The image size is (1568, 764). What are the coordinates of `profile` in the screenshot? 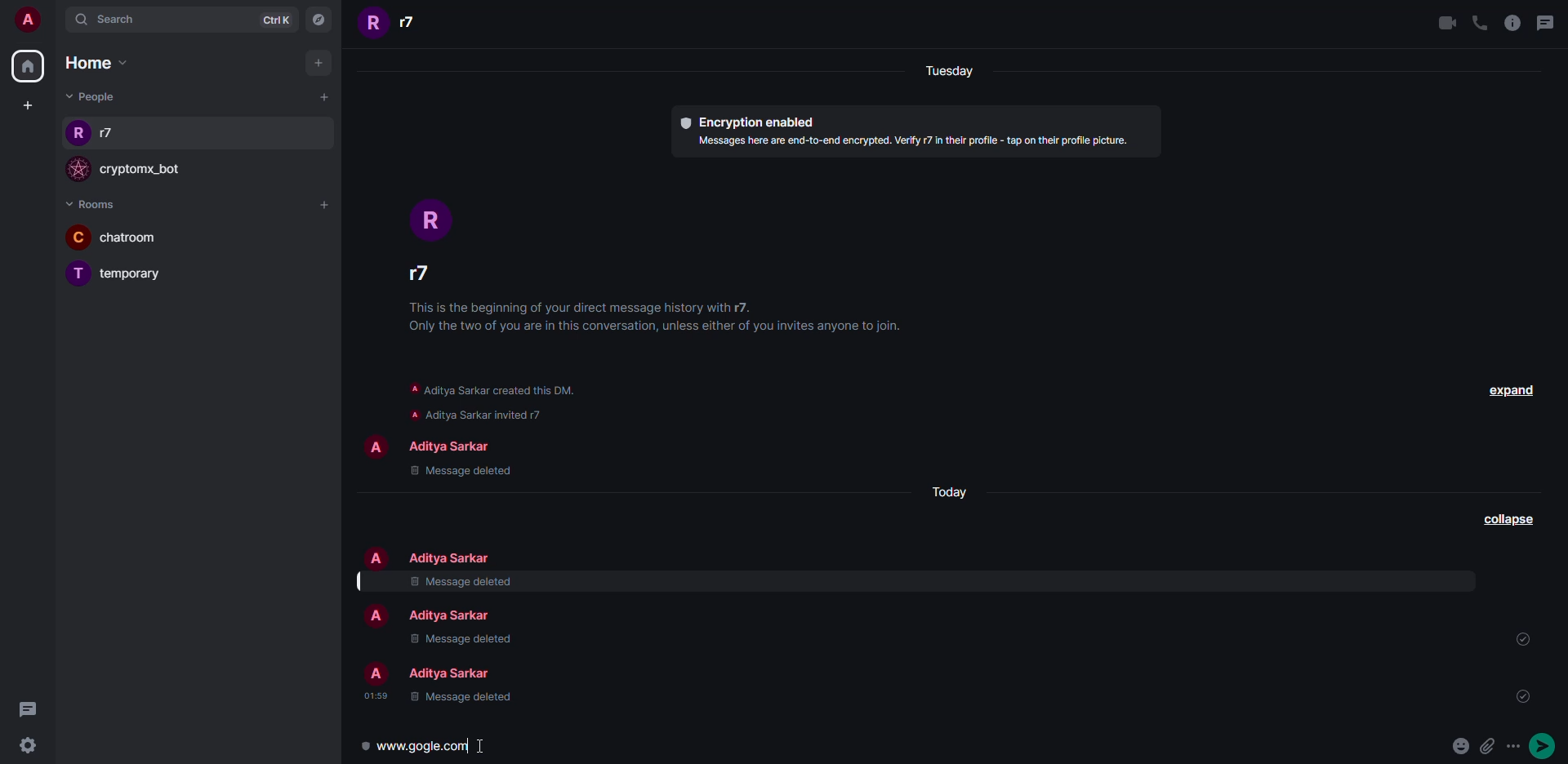 It's located at (372, 24).